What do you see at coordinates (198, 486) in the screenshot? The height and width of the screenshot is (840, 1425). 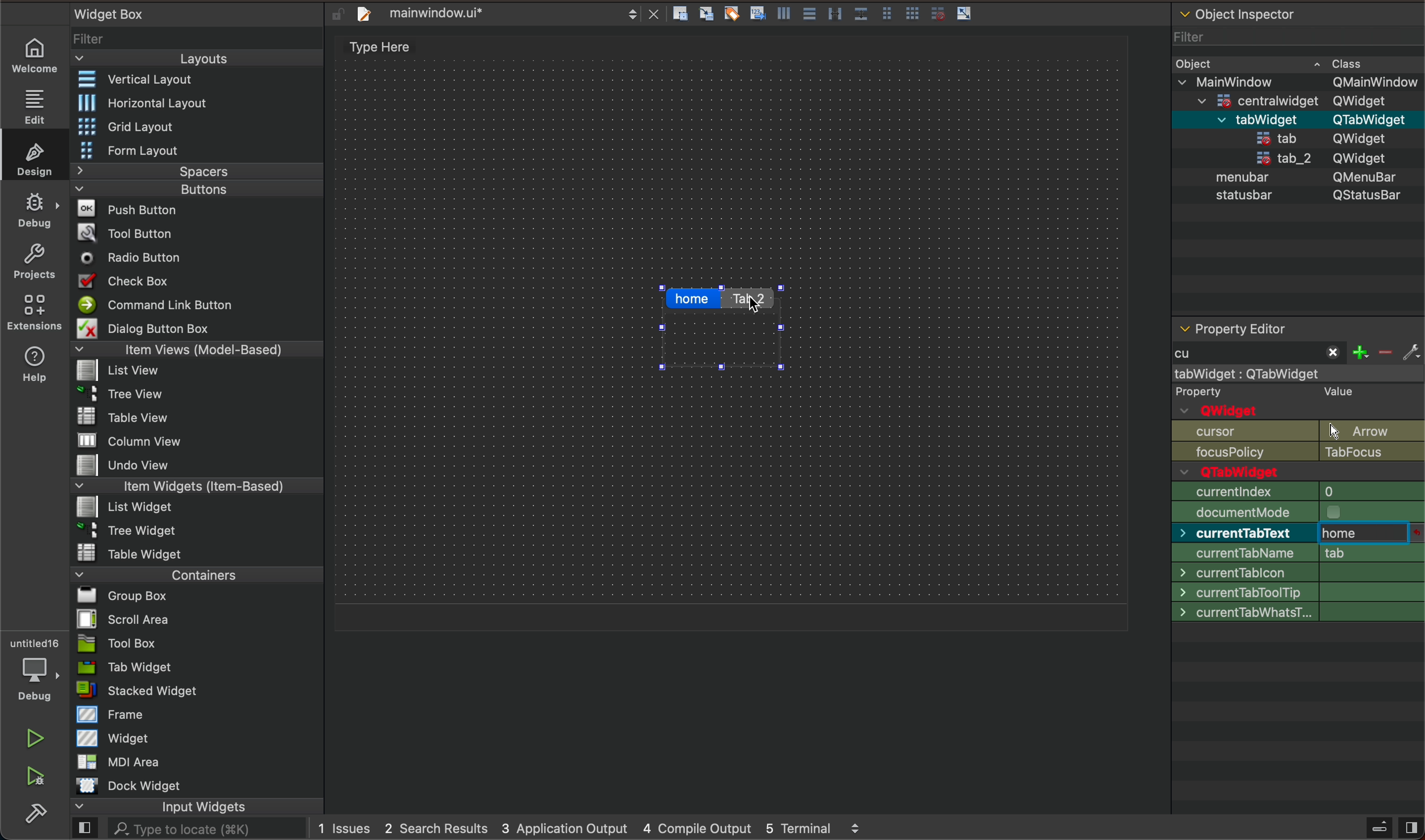 I see `Item Widgets (Item-Based)` at bounding box center [198, 486].